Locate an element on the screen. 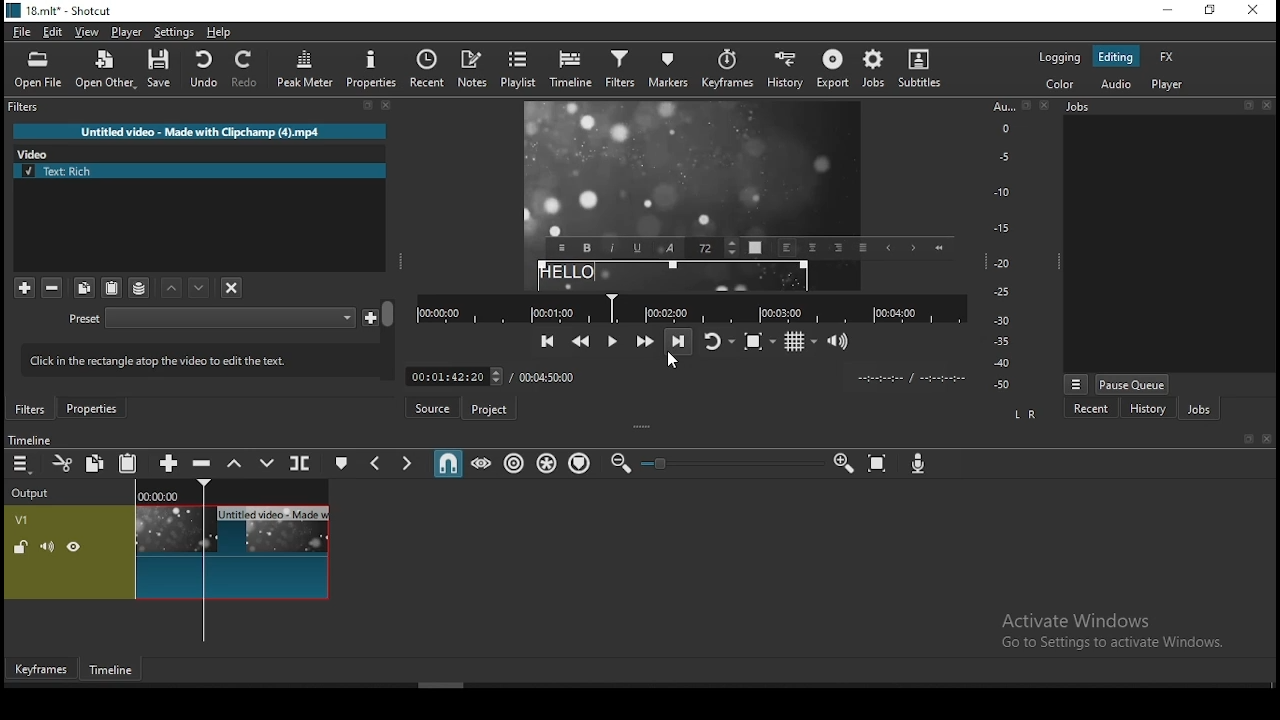 This screenshot has height=720, width=1280. split at playhead is located at coordinates (301, 462).